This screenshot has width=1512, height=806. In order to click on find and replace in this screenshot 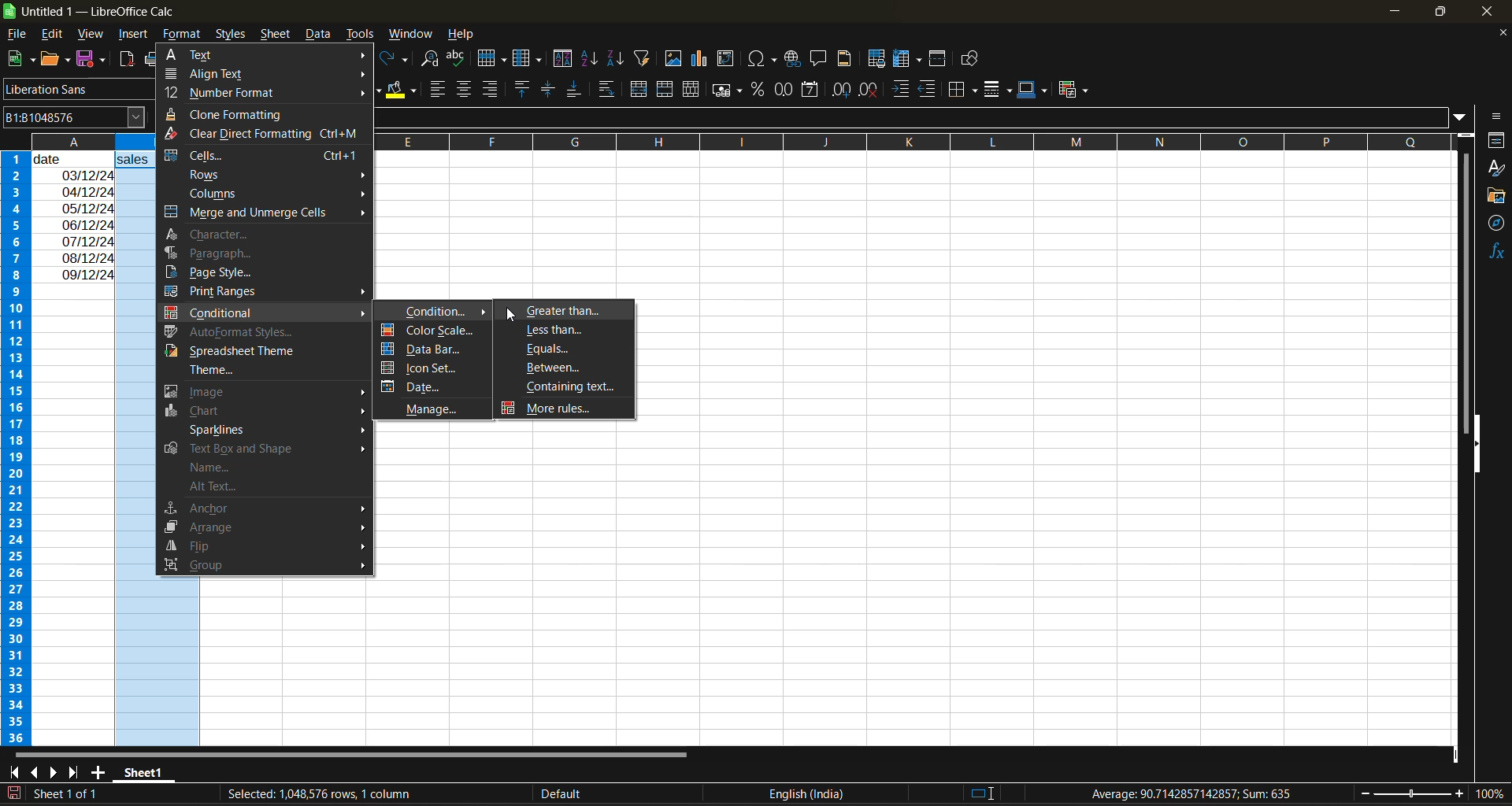, I will do `click(434, 61)`.